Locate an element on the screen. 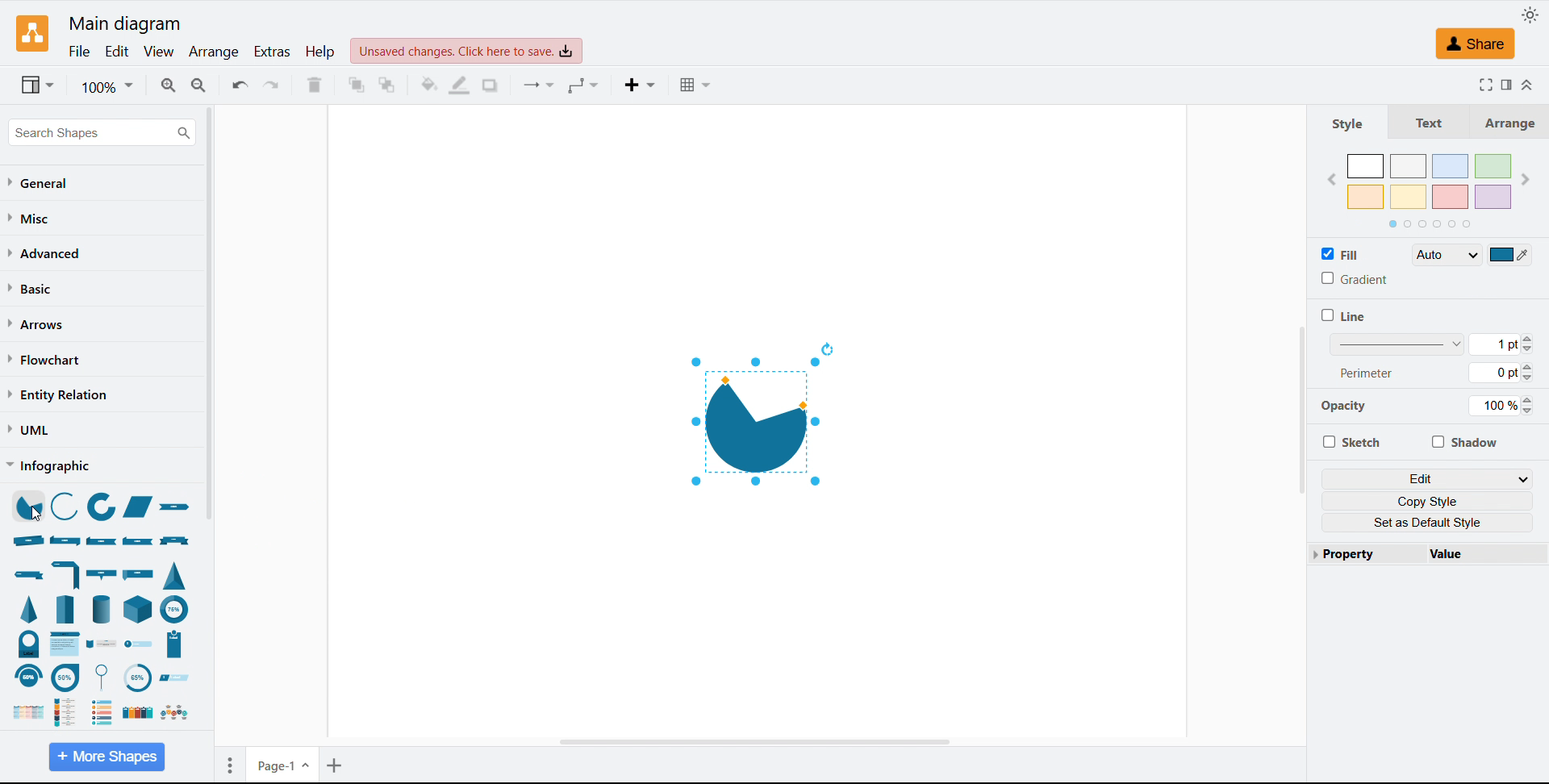 This screenshot has height=784, width=1549. Zoom in  is located at coordinates (168, 84).